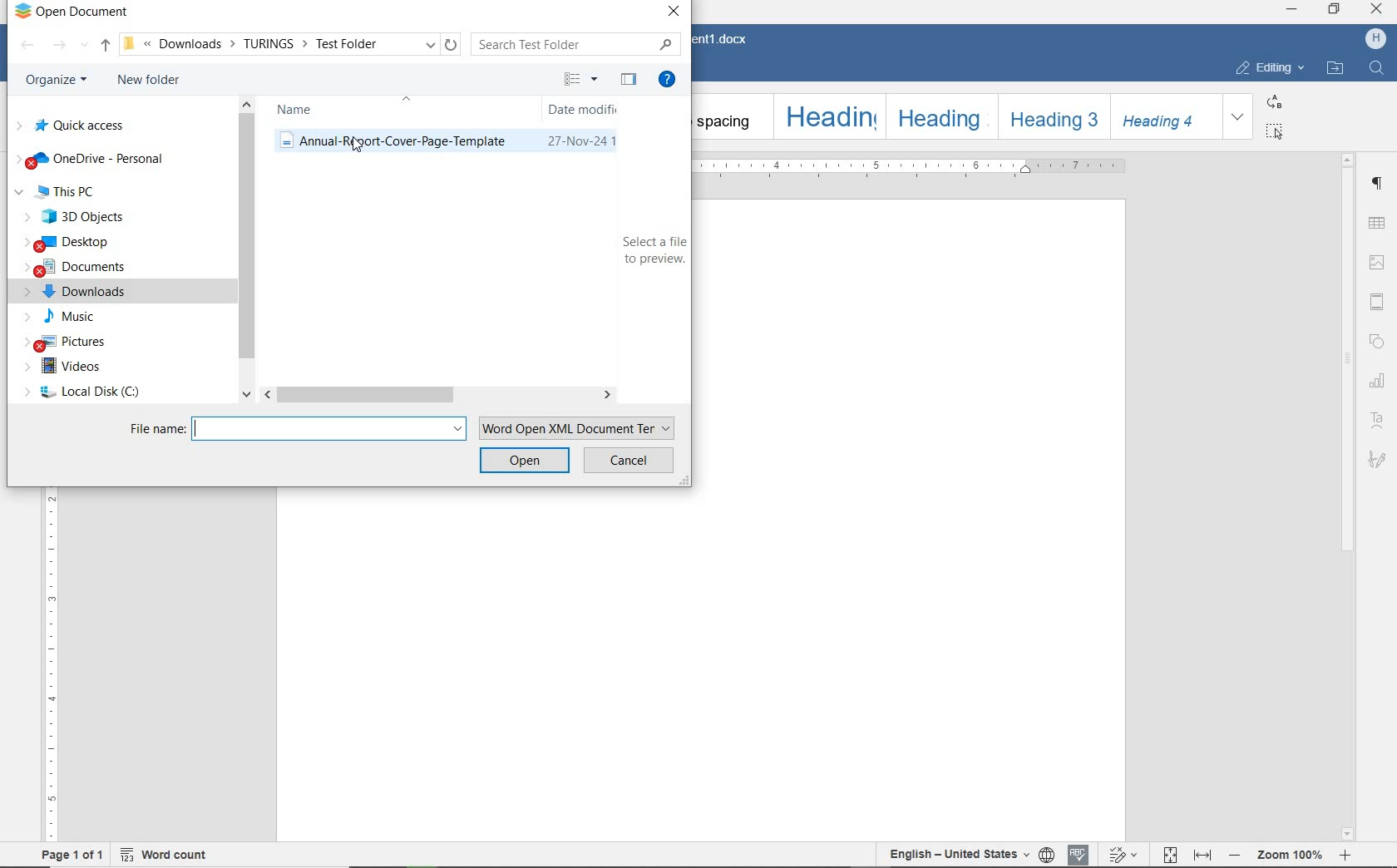  I want to click on heading 1, so click(827, 116).